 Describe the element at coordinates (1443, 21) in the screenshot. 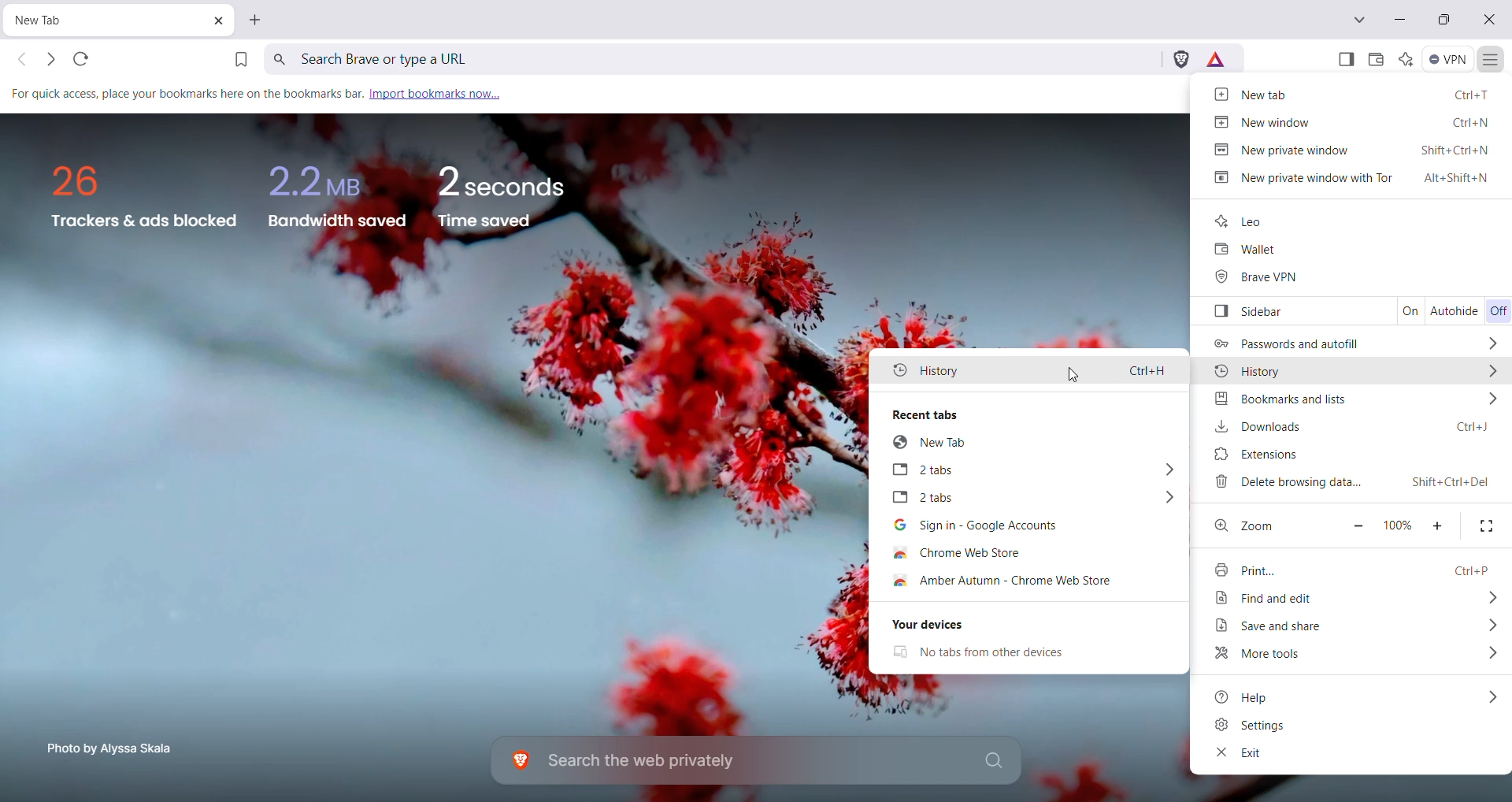

I see `Restore Down` at that location.